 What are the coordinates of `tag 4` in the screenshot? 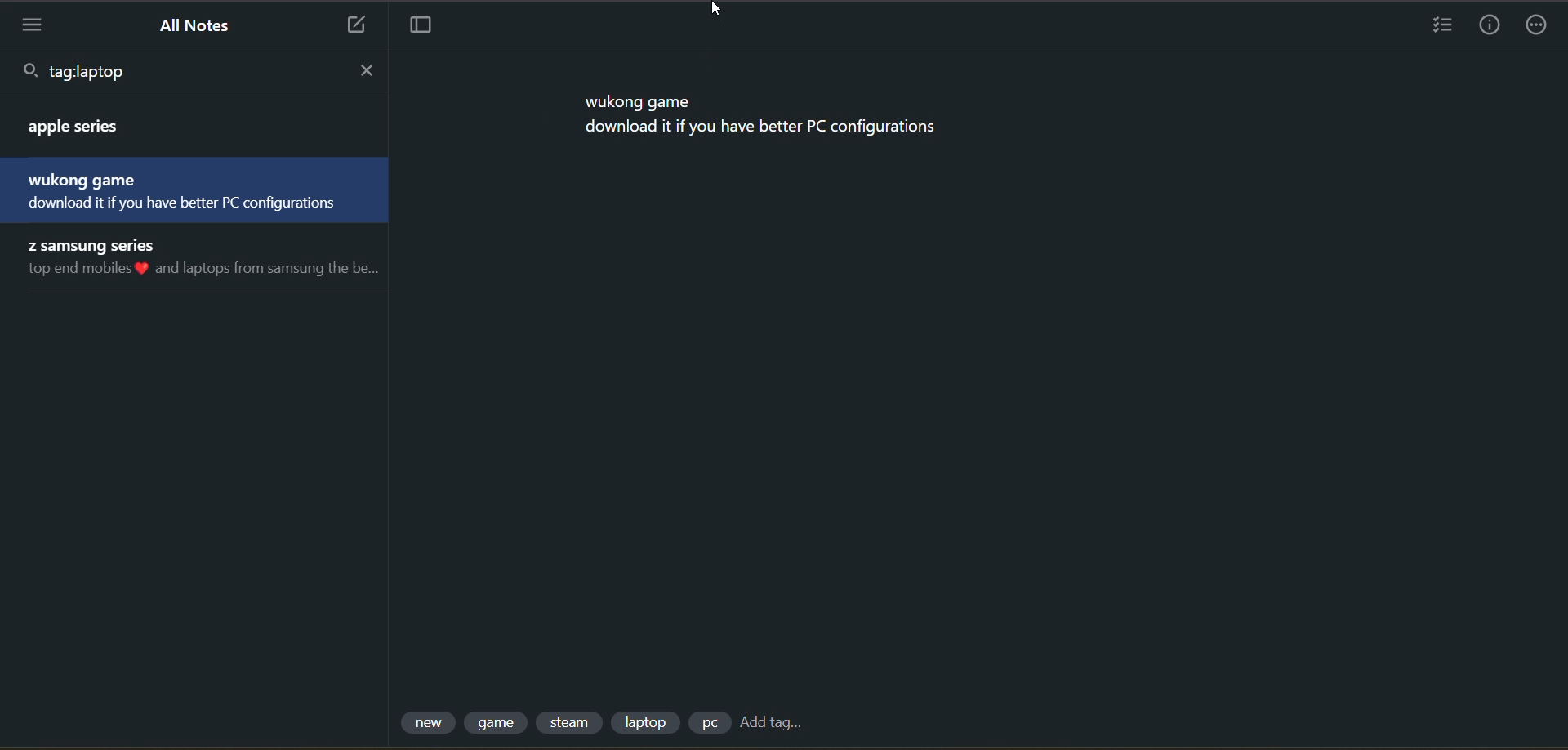 It's located at (646, 721).